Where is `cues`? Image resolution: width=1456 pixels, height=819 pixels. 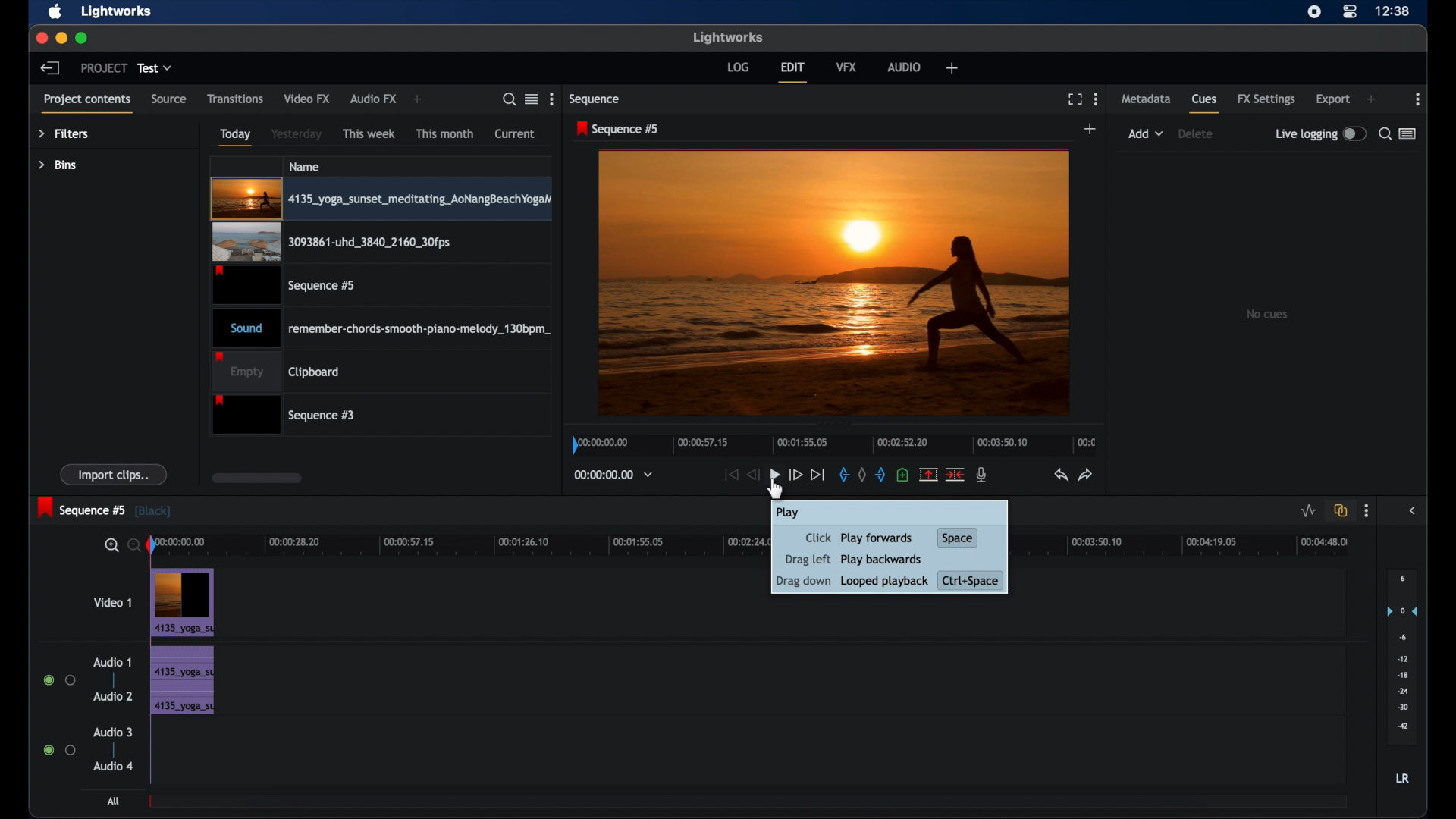
cues is located at coordinates (1206, 103).